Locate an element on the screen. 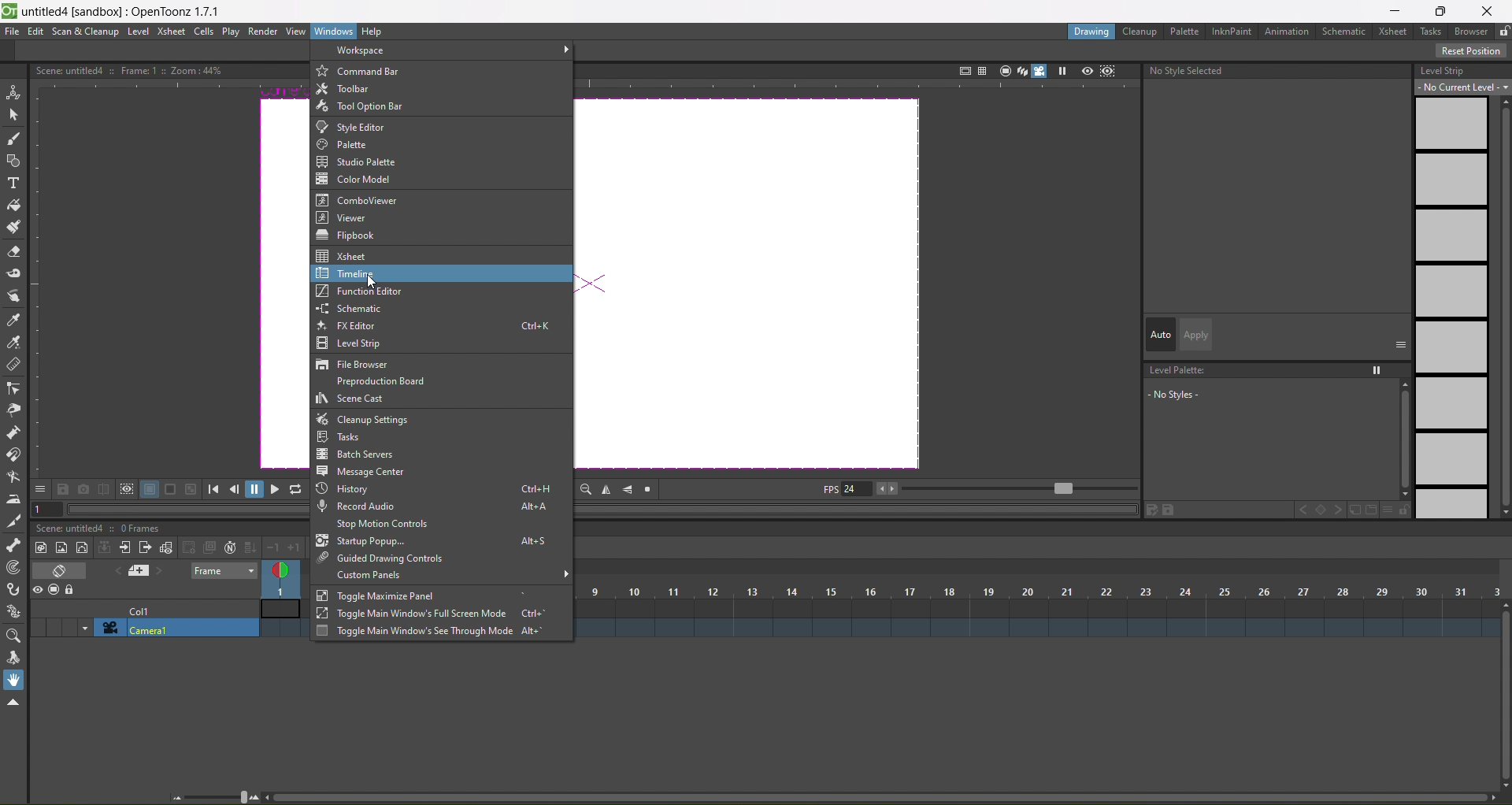 This screenshot has width=1512, height=805. palette is located at coordinates (347, 145).